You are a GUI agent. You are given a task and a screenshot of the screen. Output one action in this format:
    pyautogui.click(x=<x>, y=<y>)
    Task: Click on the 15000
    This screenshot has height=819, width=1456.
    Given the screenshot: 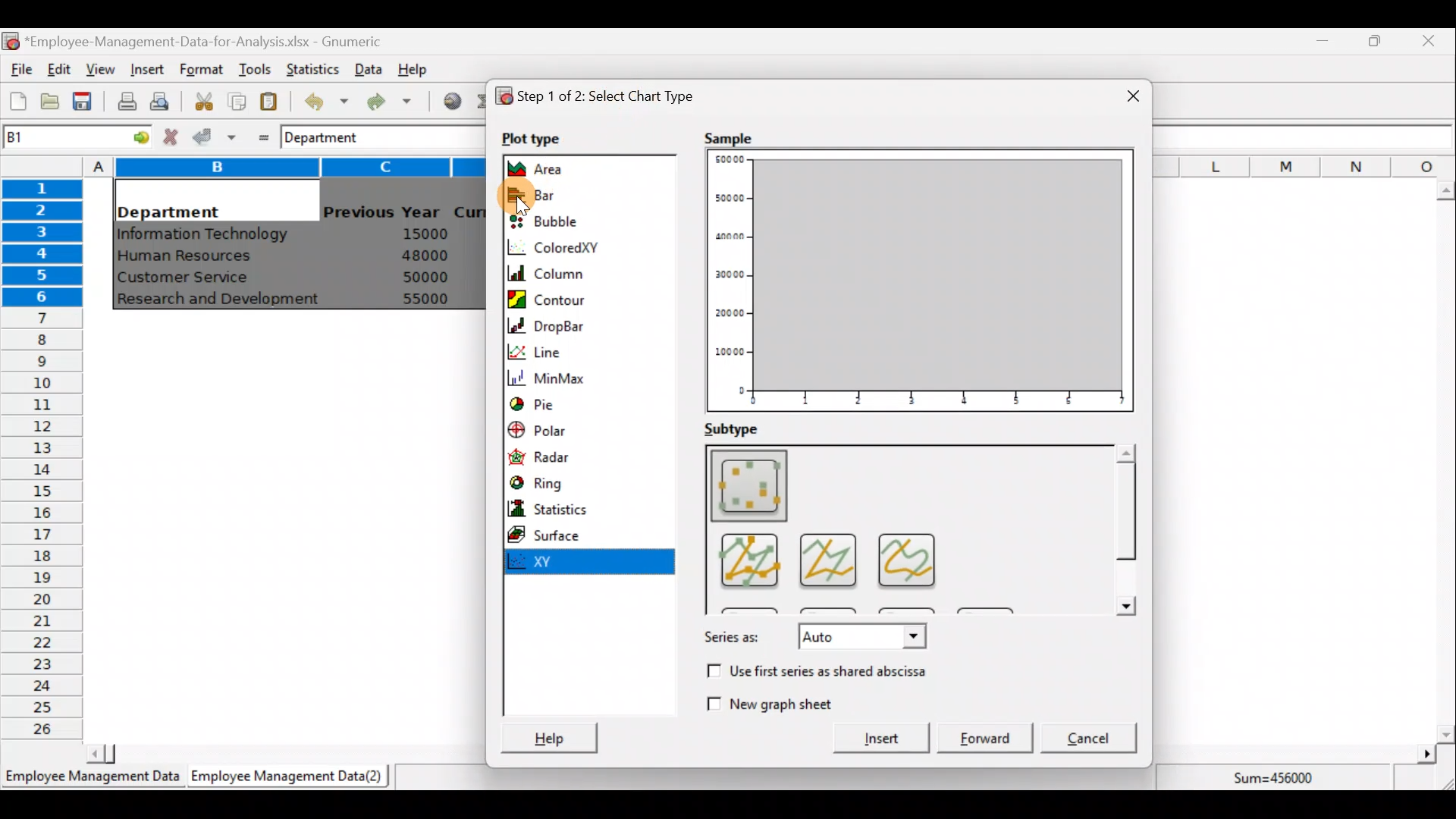 What is the action you would take?
    pyautogui.click(x=419, y=233)
    